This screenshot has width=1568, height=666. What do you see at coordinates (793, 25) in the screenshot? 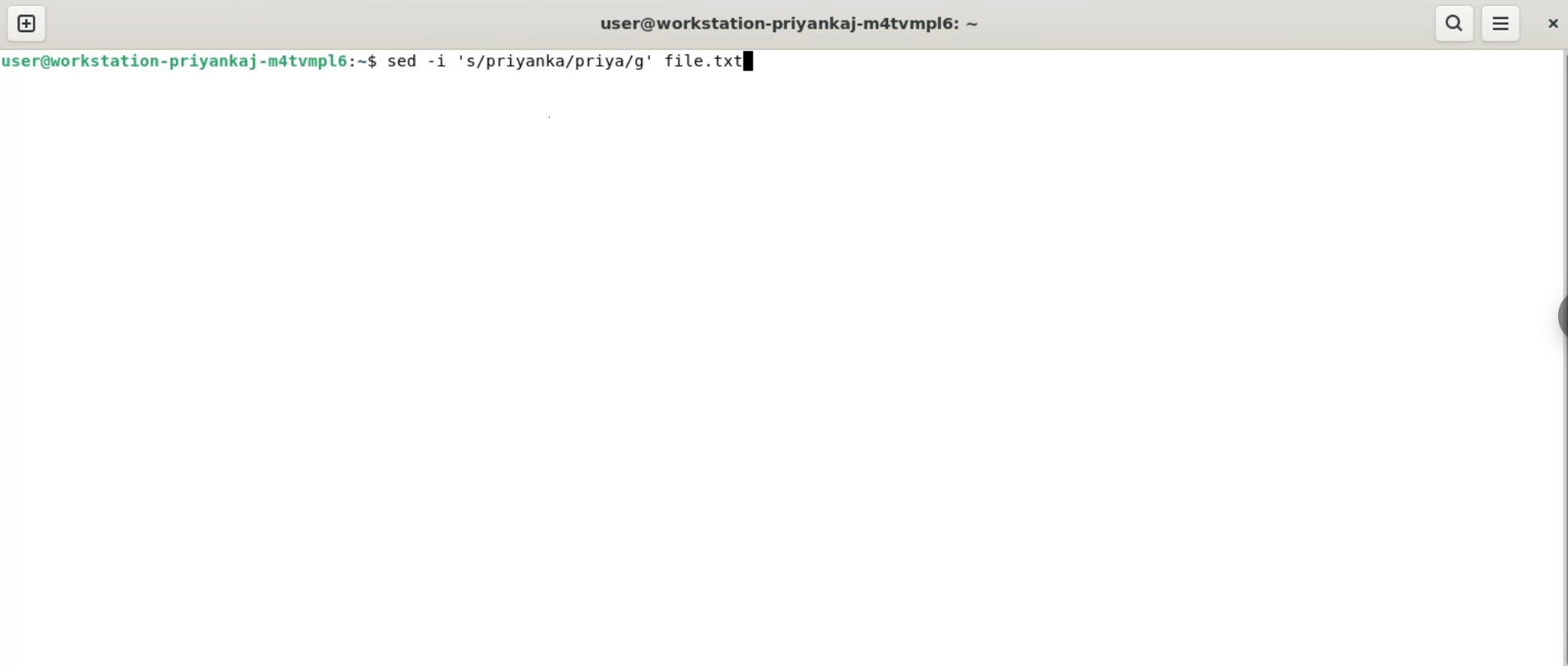
I see `user@workstation-priyankaj-m4tvmplé: ~` at bounding box center [793, 25].